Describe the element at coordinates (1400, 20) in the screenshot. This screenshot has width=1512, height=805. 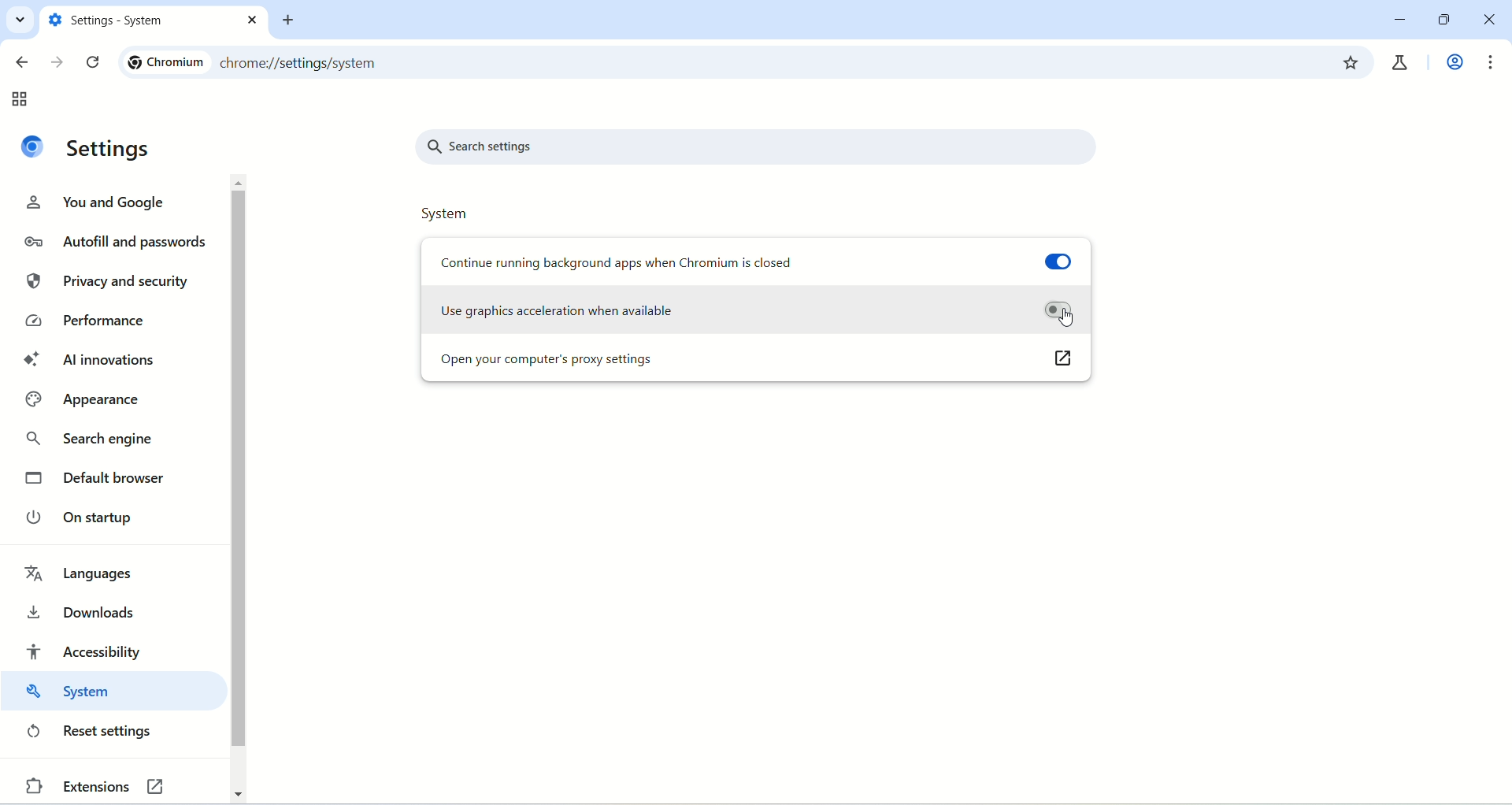
I see `minimize` at that location.